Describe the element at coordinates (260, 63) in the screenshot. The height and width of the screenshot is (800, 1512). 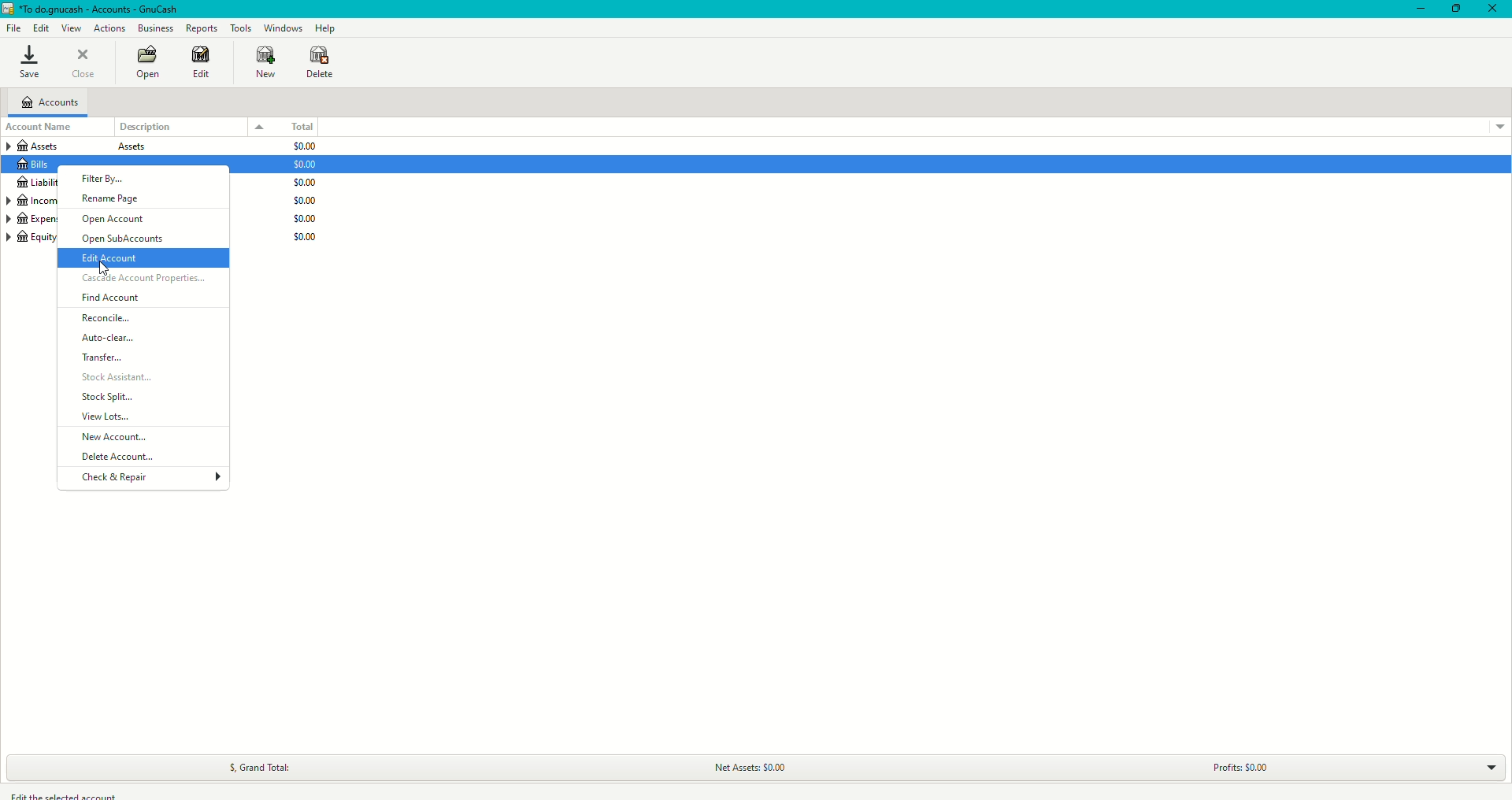
I see `New` at that location.